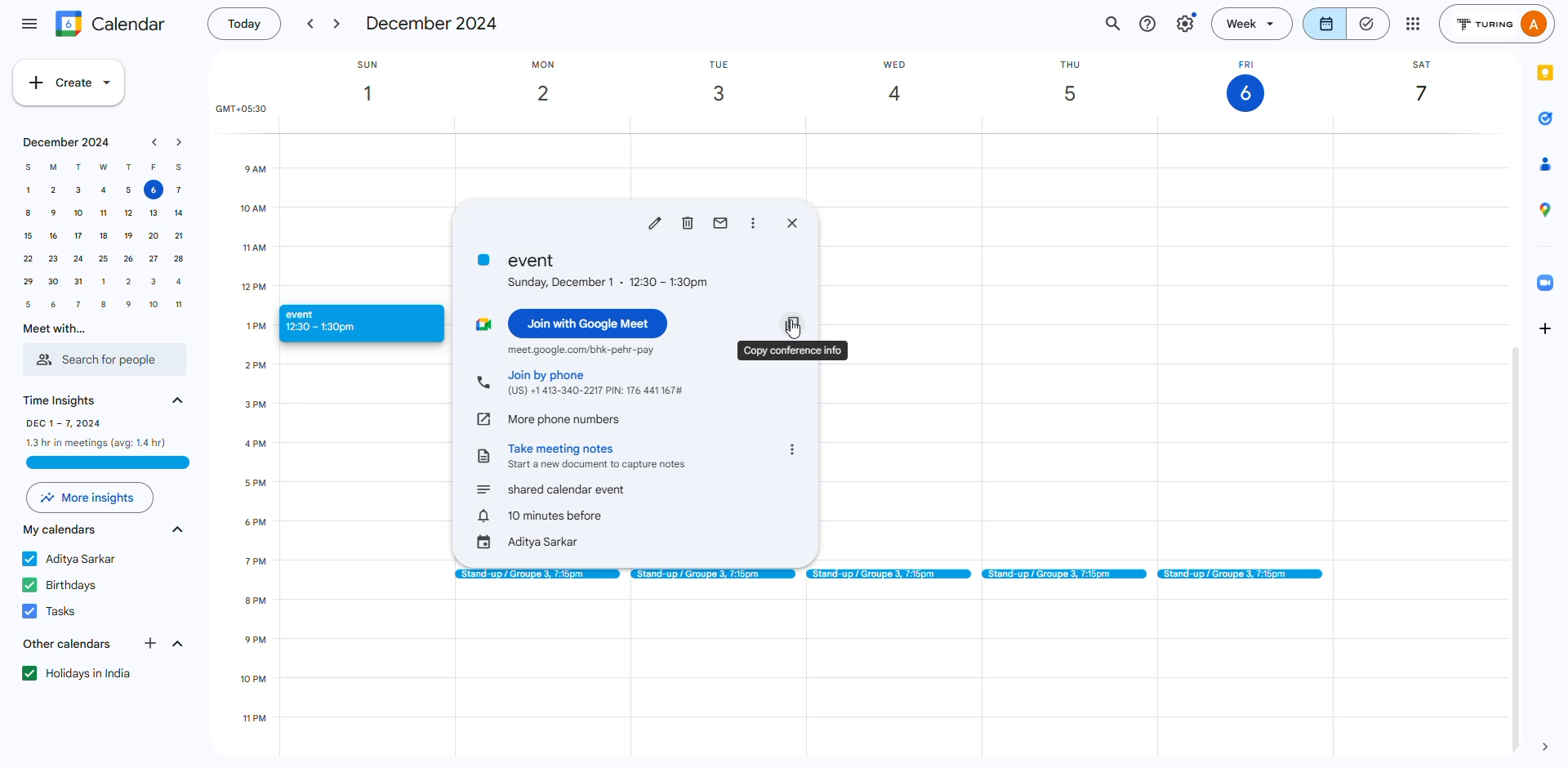 This screenshot has width=1568, height=768. What do you see at coordinates (792, 450) in the screenshot?
I see `more` at bounding box center [792, 450].